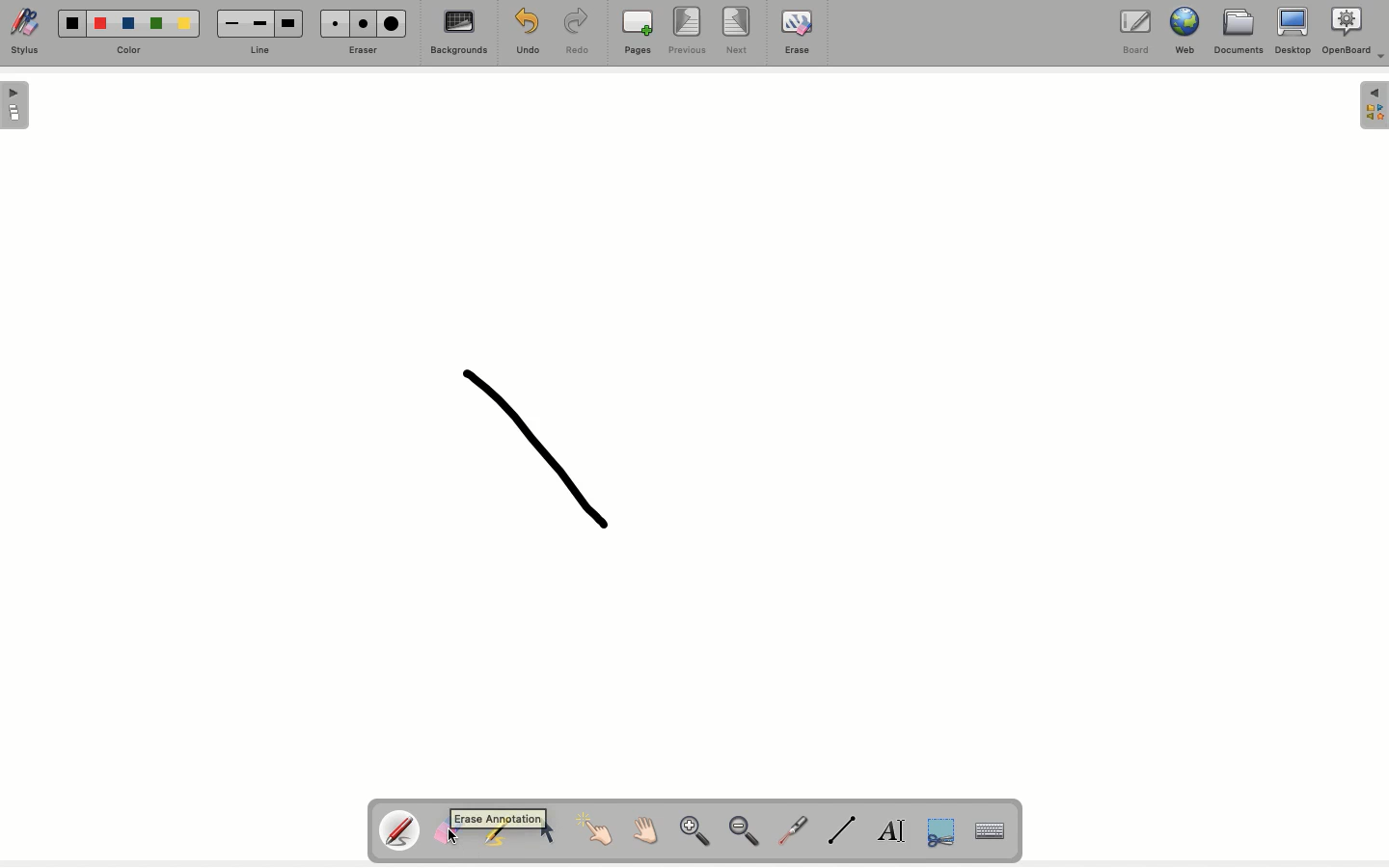 The image size is (1389, 868). Describe the element at coordinates (526, 31) in the screenshot. I see `Undo` at that location.